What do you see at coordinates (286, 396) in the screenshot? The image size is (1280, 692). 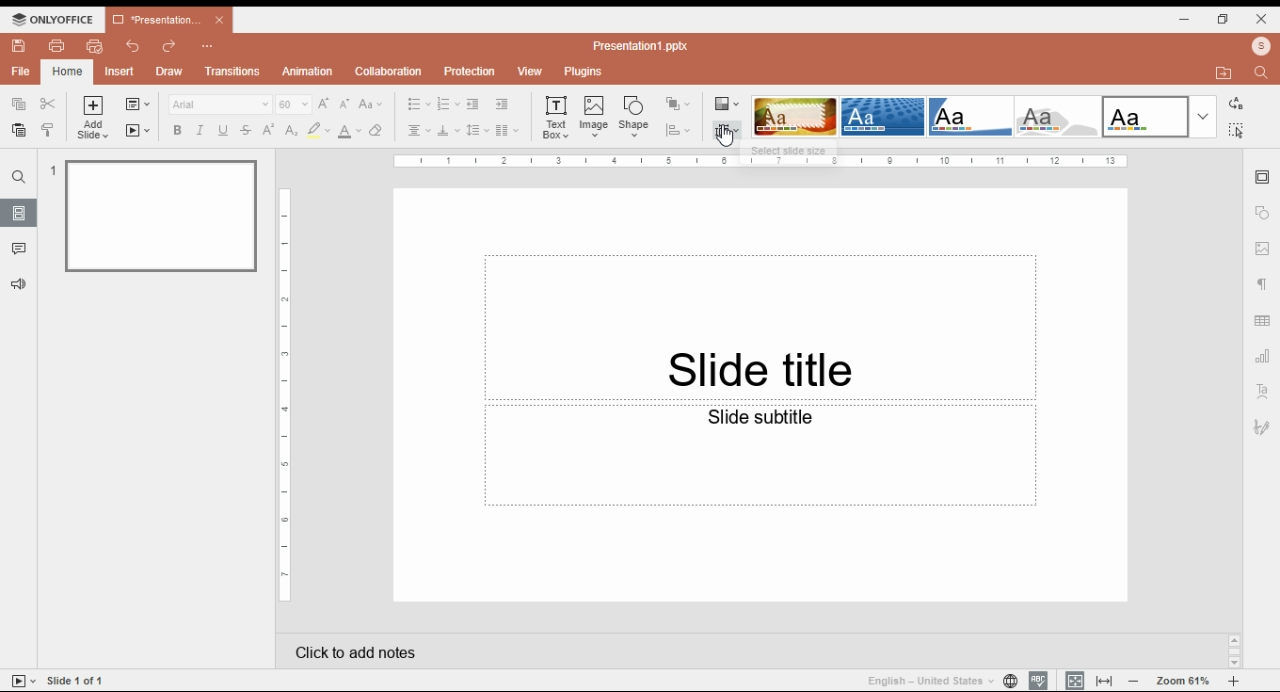 I see `Page Scale` at bounding box center [286, 396].